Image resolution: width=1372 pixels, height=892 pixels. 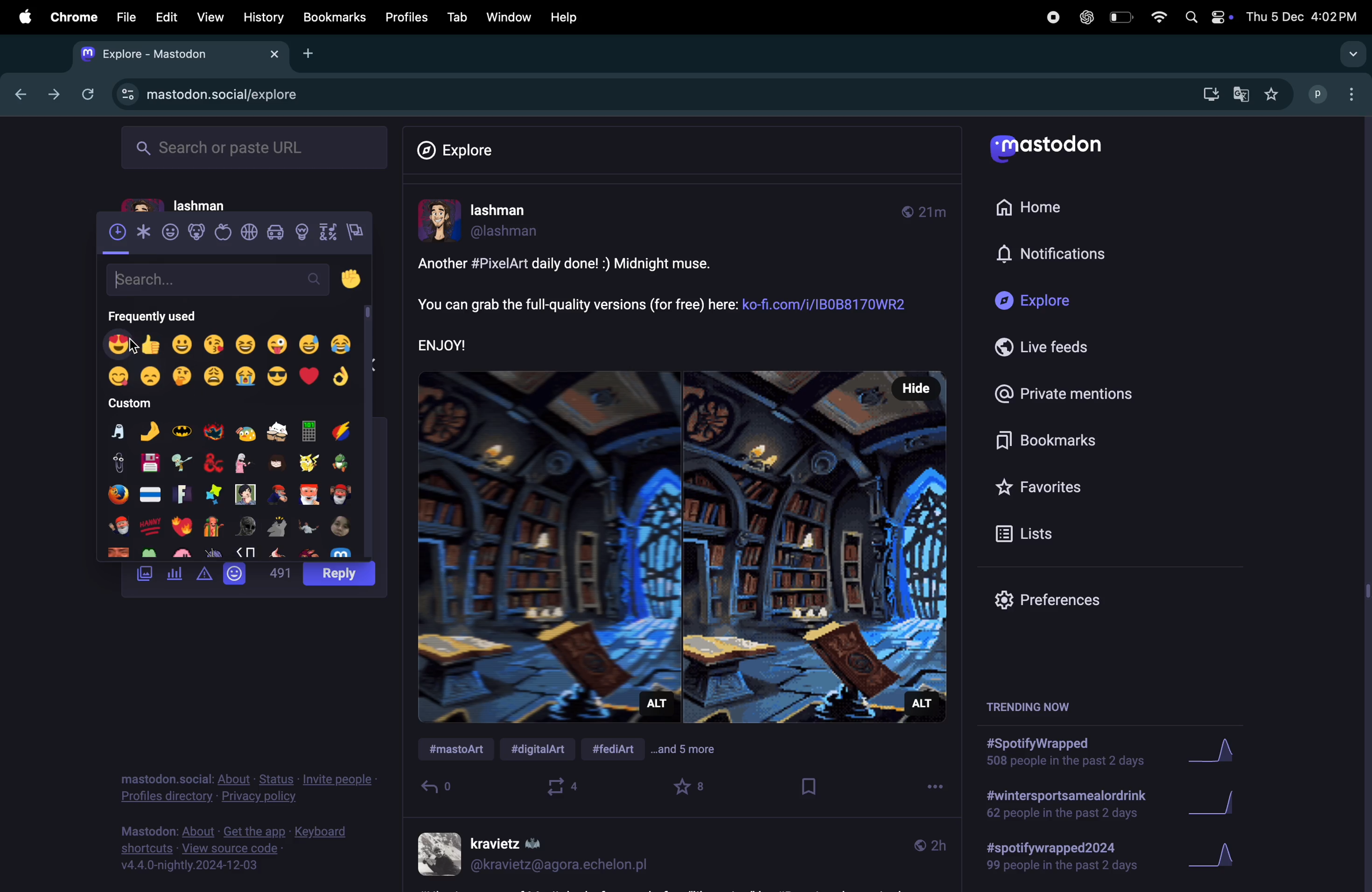 What do you see at coordinates (1217, 754) in the screenshot?
I see `graph` at bounding box center [1217, 754].